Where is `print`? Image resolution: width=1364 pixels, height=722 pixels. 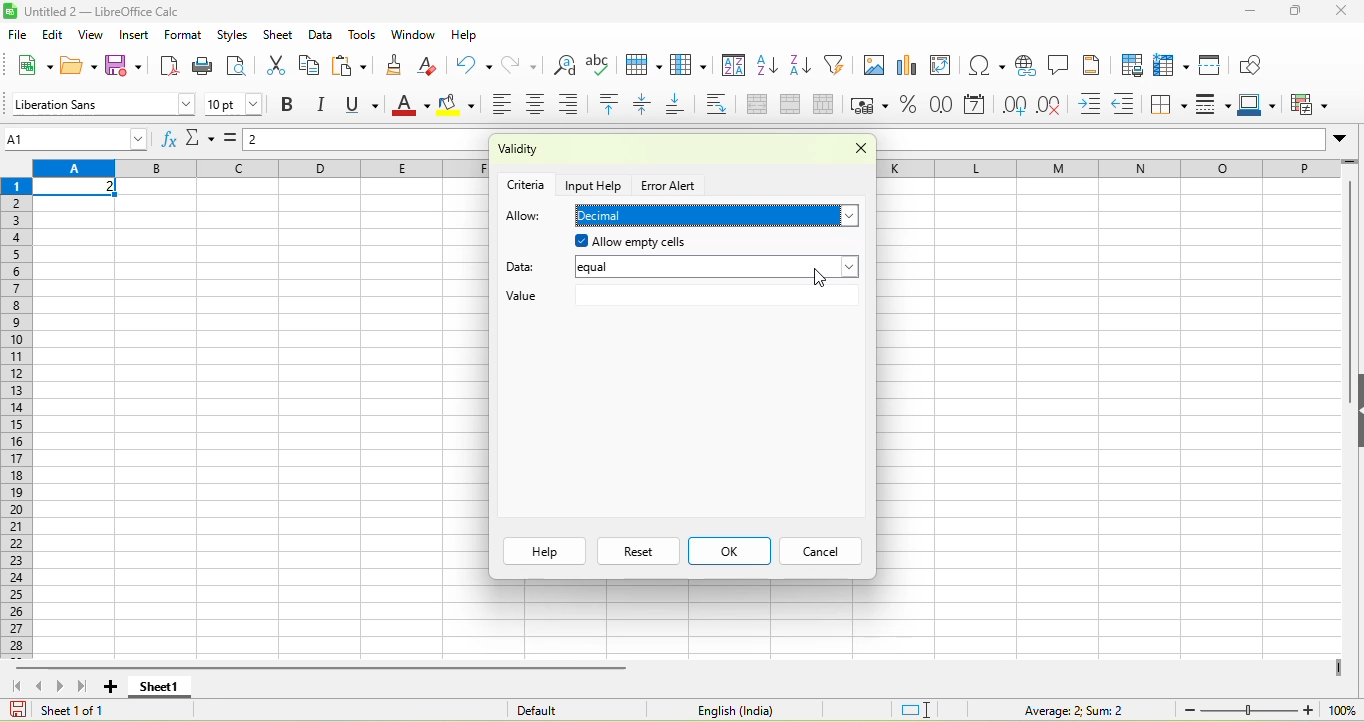 print is located at coordinates (204, 65).